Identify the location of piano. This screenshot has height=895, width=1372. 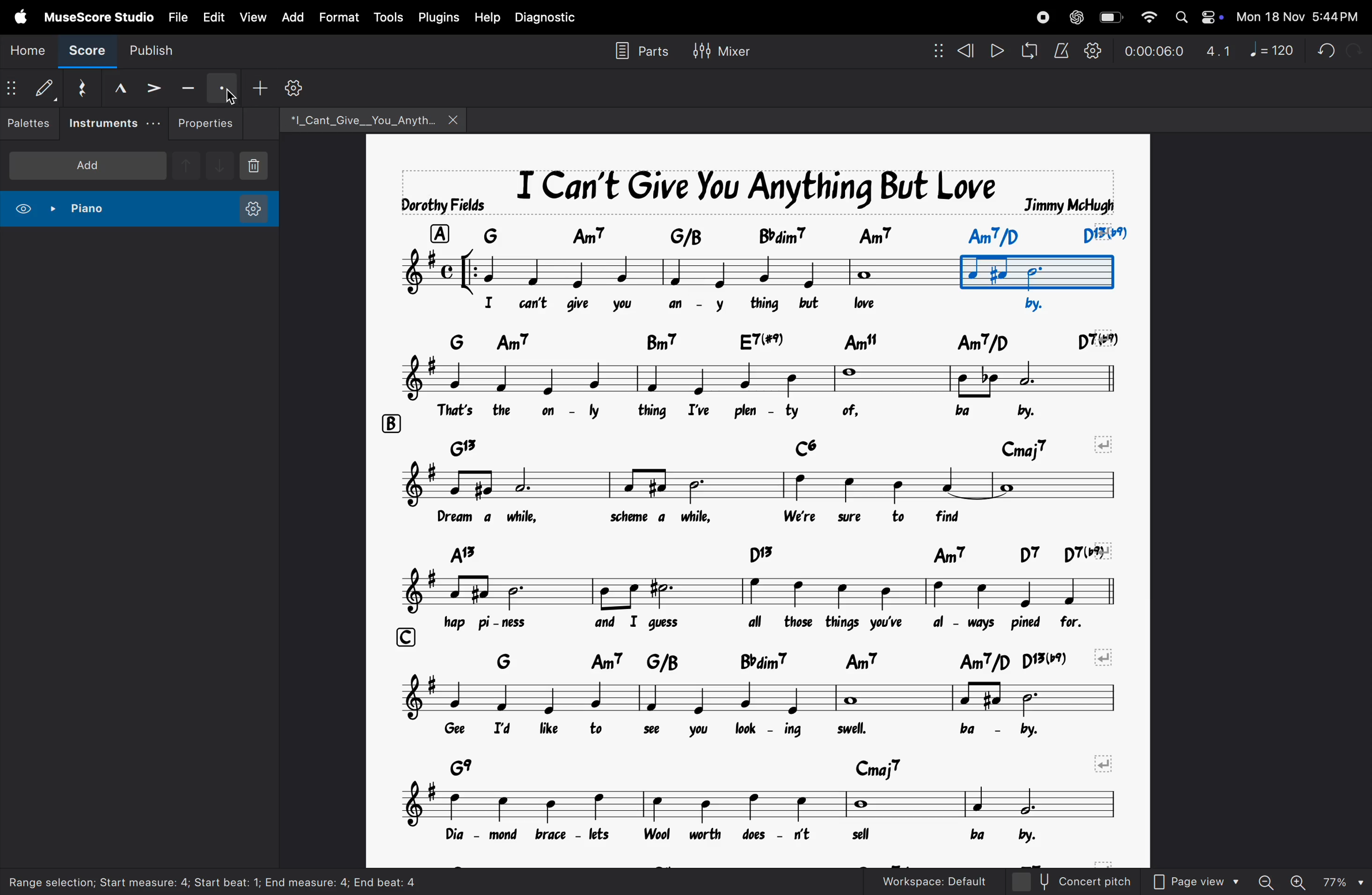
(78, 211).